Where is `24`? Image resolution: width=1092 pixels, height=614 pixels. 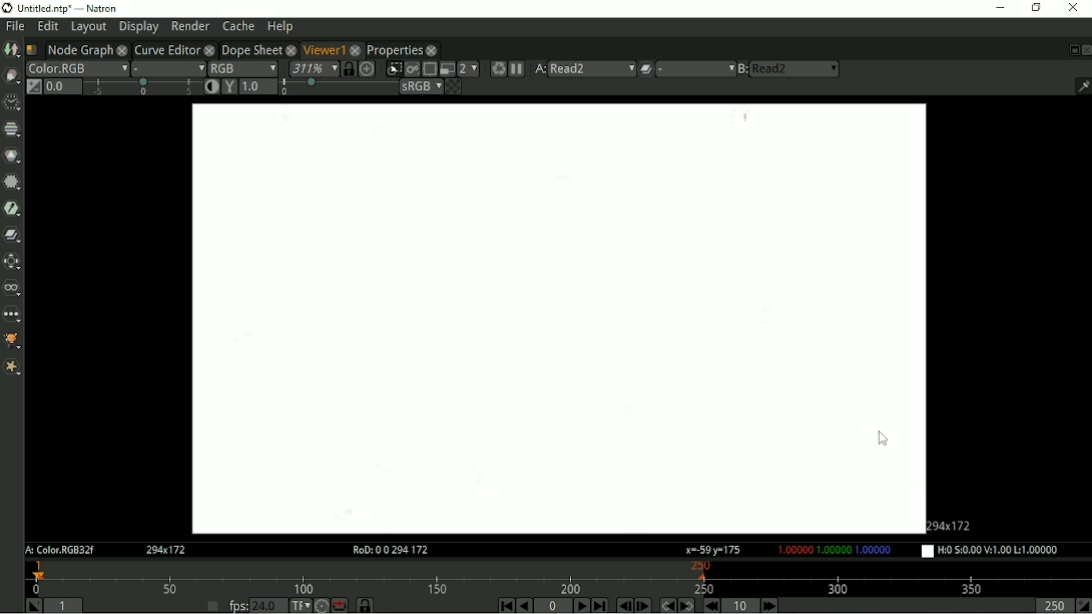
24 is located at coordinates (269, 605).